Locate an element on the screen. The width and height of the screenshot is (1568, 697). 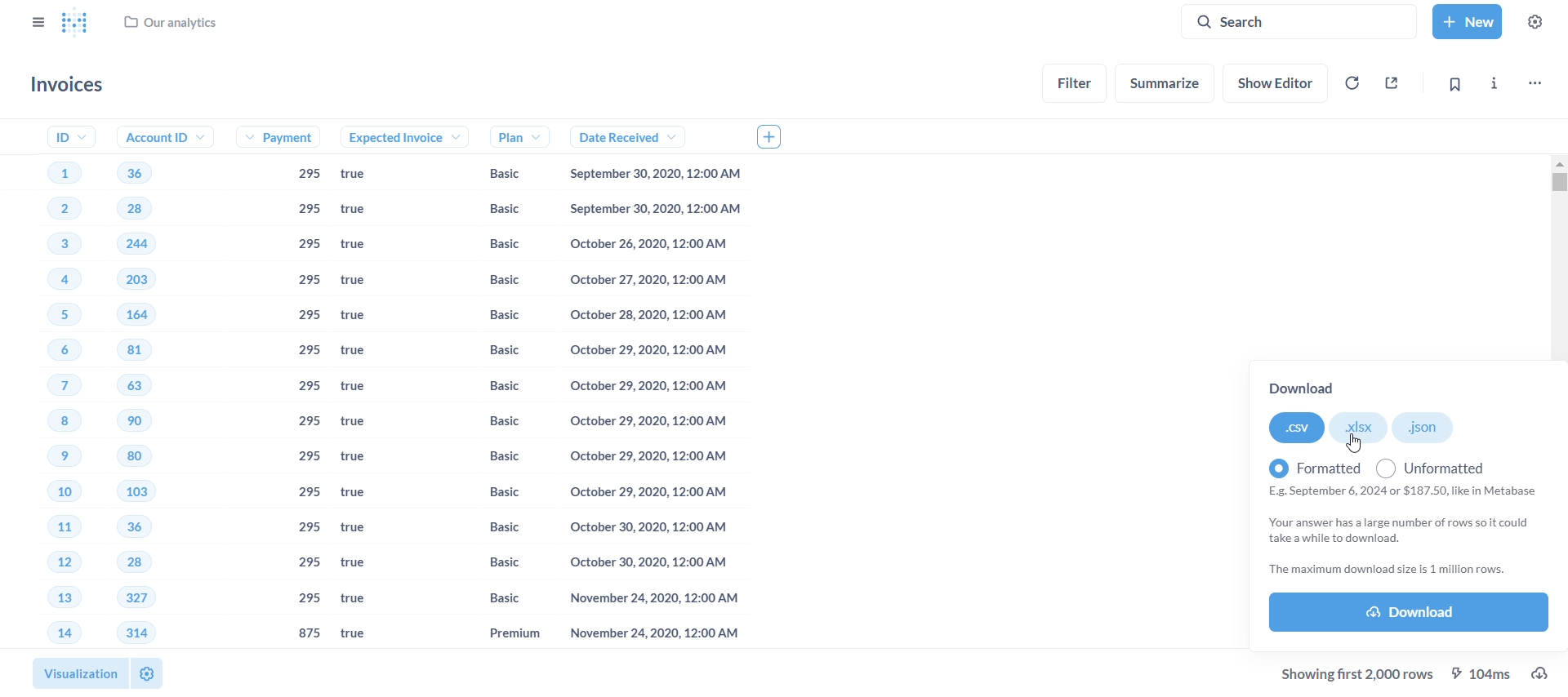
October 29, 2020, 12:00 AM is located at coordinates (645, 455).